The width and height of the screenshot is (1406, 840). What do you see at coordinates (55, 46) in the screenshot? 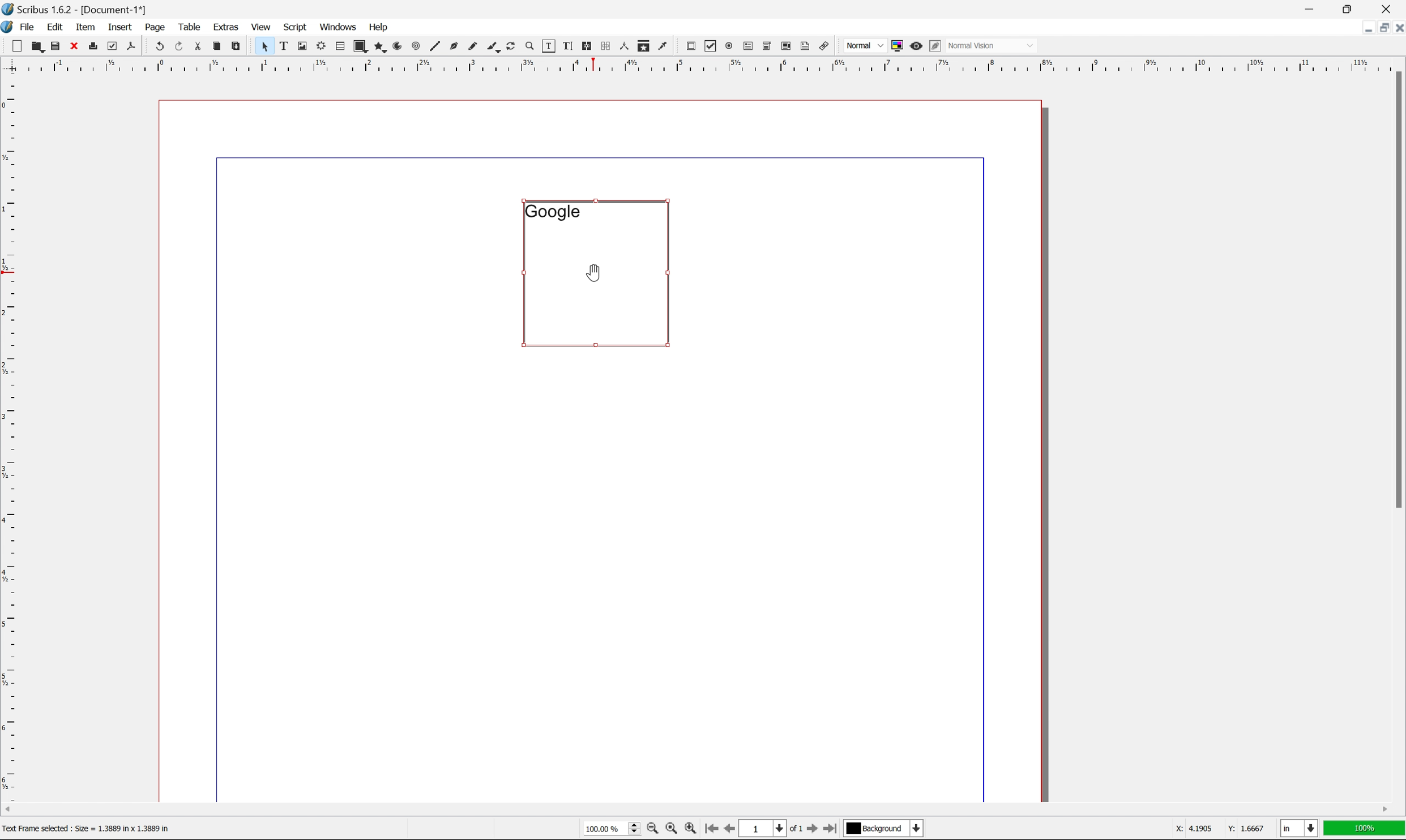
I see `save` at bounding box center [55, 46].